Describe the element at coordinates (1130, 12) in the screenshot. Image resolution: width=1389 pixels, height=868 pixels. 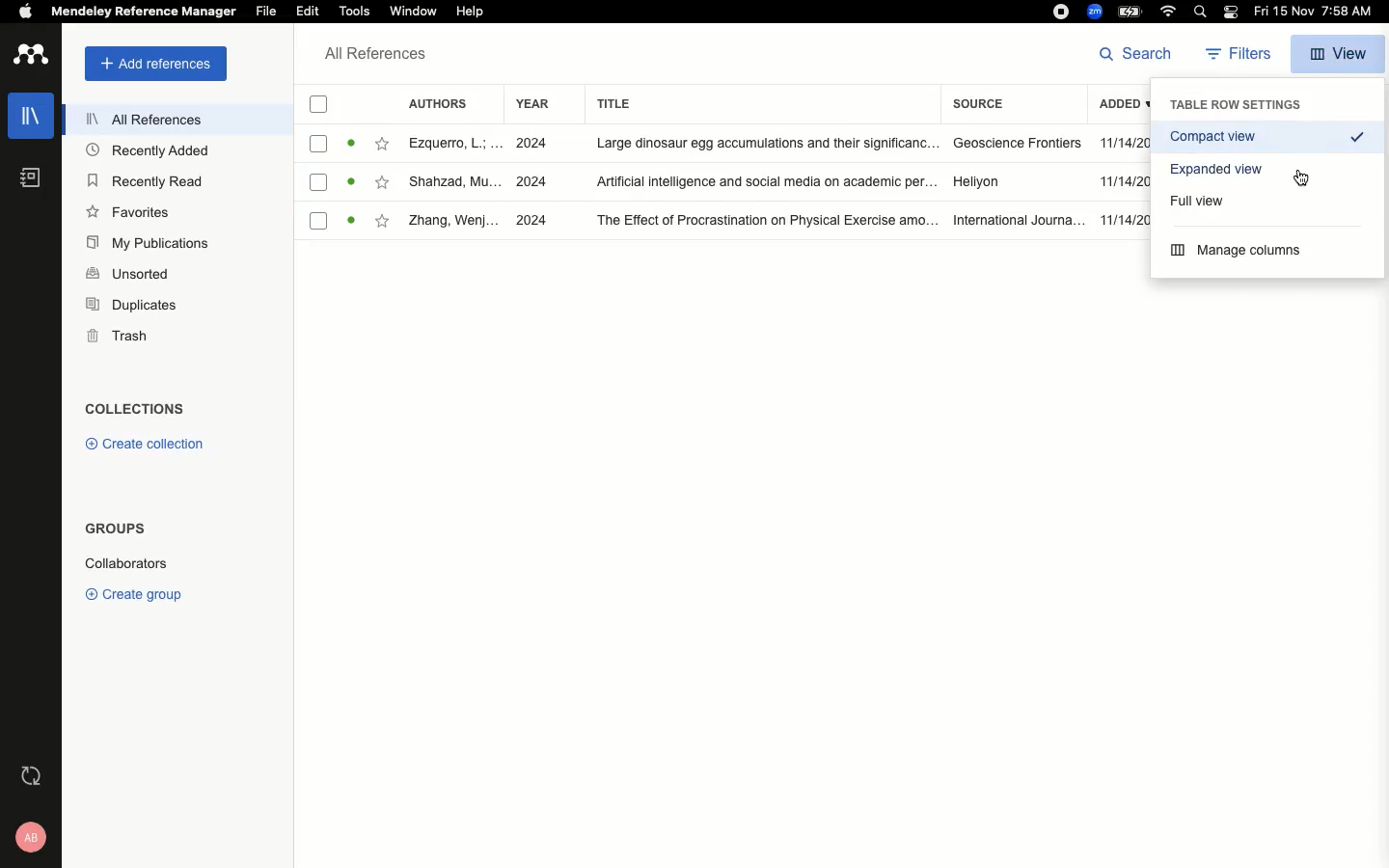
I see `Charge` at that location.